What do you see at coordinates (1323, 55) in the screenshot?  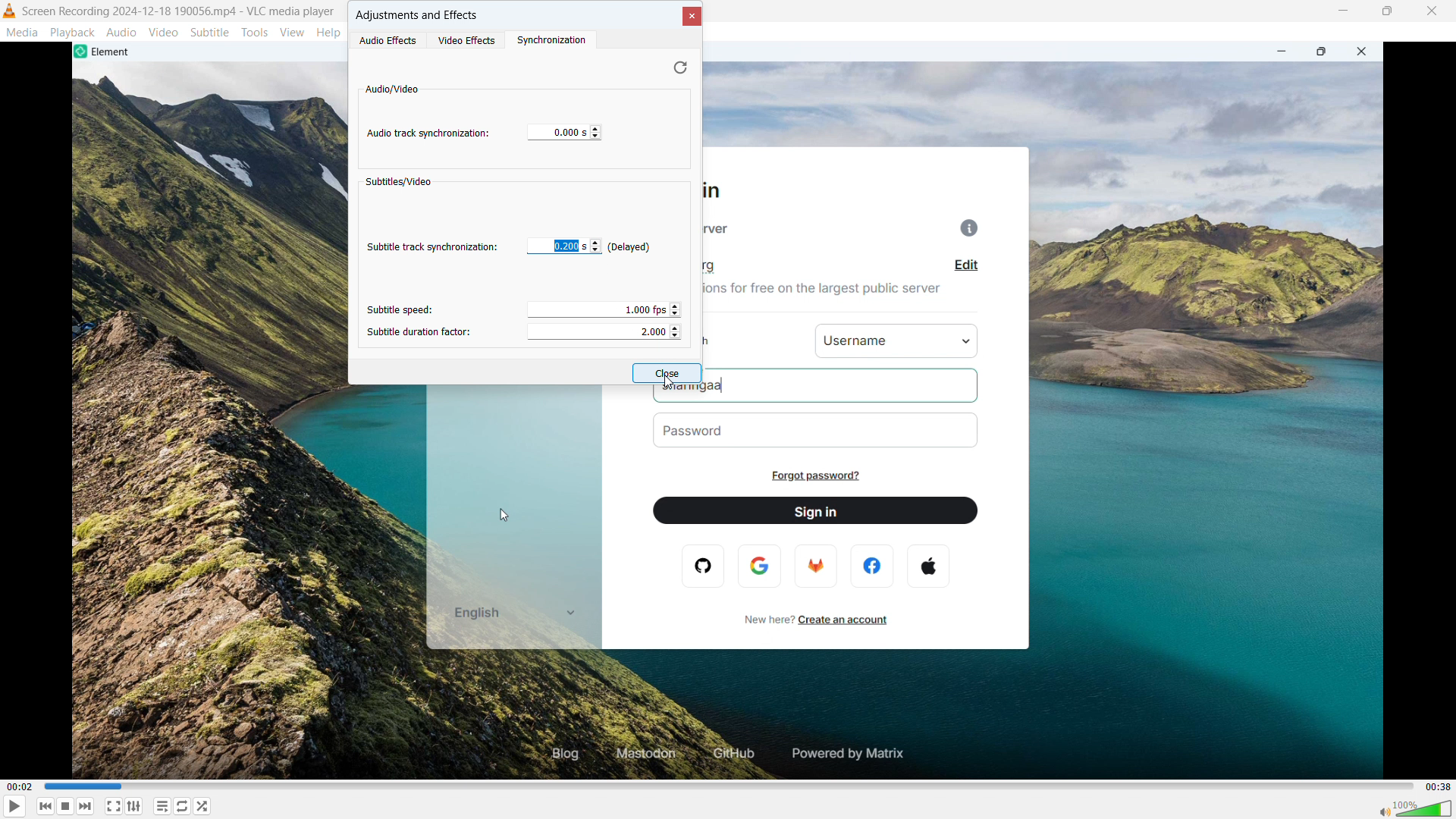 I see `maximize` at bounding box center [1323, 55].